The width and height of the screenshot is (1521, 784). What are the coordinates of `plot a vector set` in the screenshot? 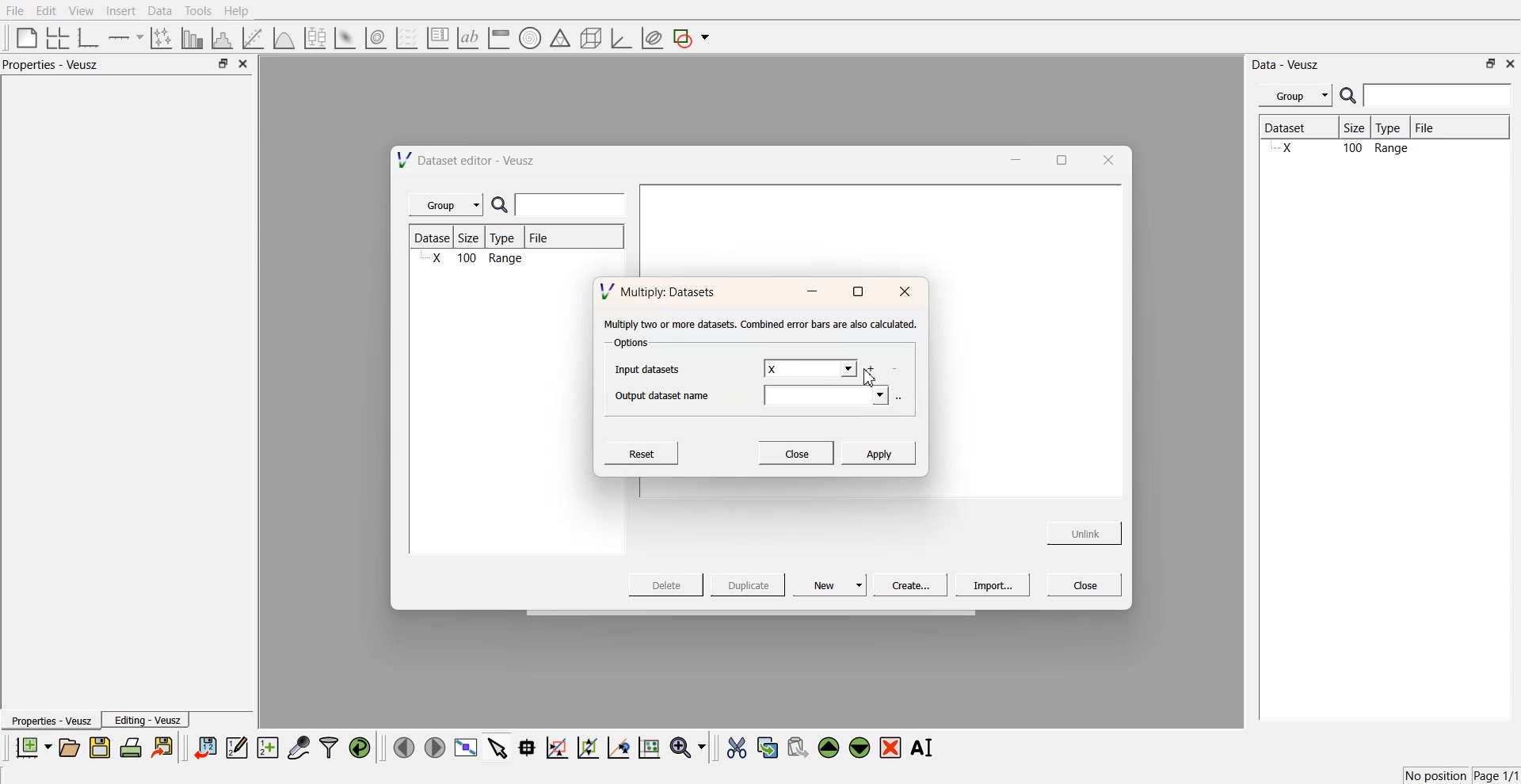 It's located at (408, 38).